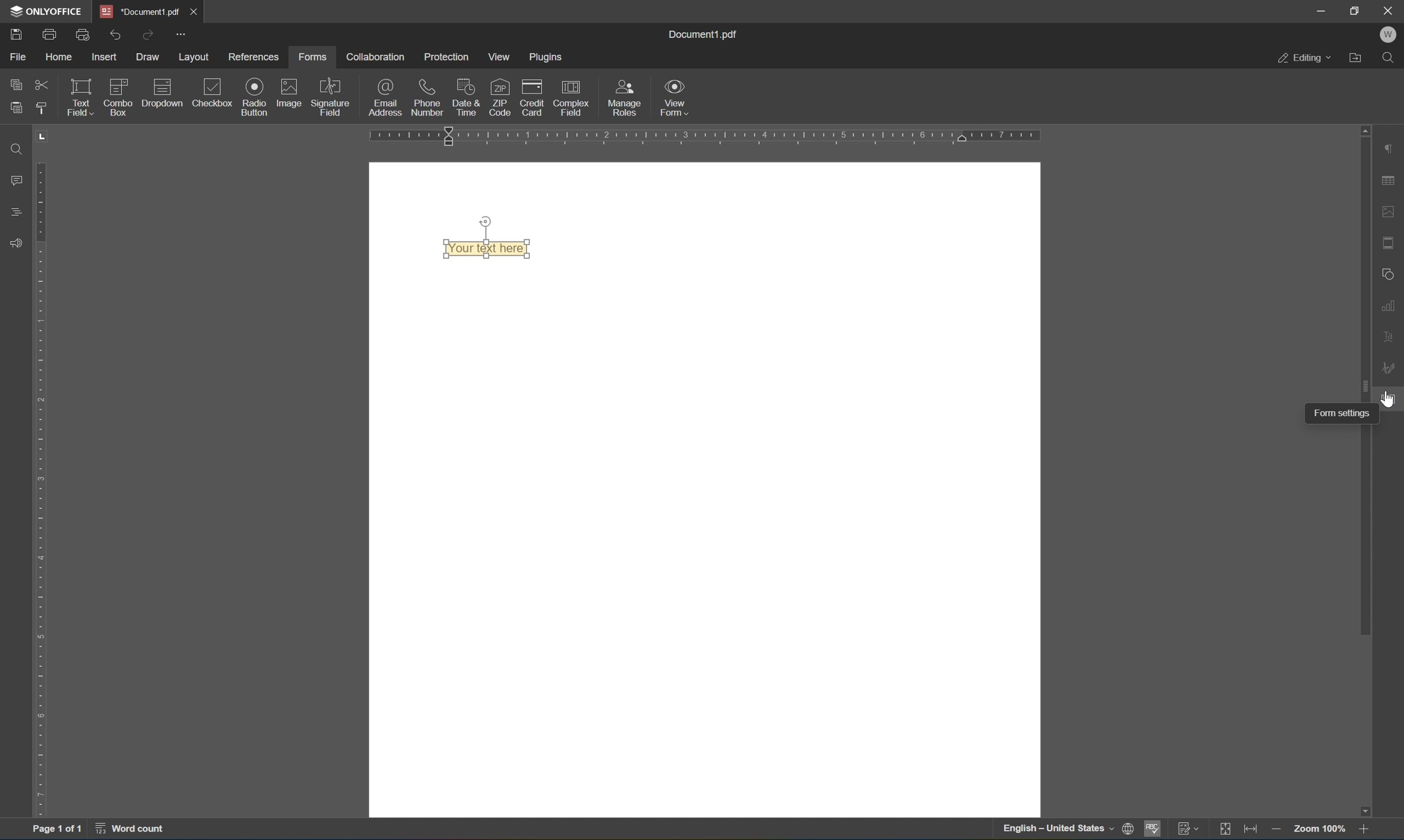 The height and width of the screenshot is (840, 1404). I want to click on fit to width, so click(1252, 831).